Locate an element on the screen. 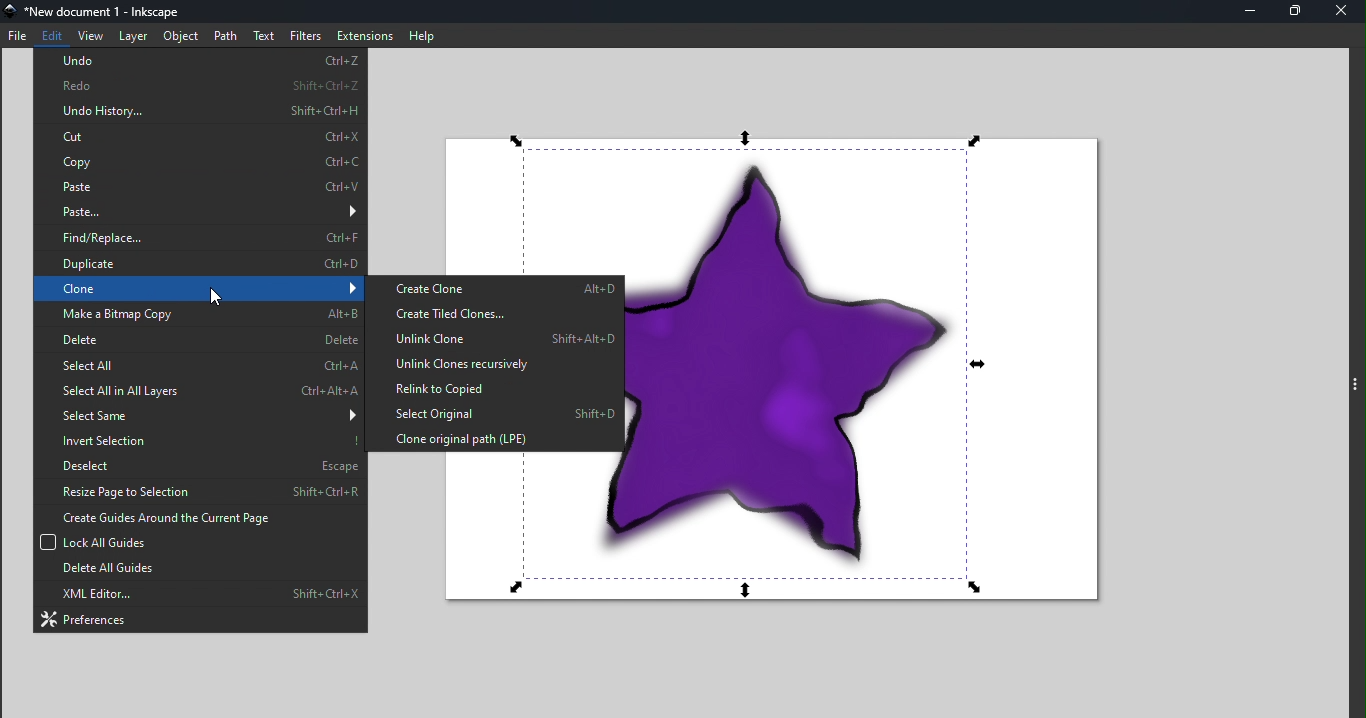 This screenshot has width=1366, height=718. canvas is located at coordinates (875, 379).